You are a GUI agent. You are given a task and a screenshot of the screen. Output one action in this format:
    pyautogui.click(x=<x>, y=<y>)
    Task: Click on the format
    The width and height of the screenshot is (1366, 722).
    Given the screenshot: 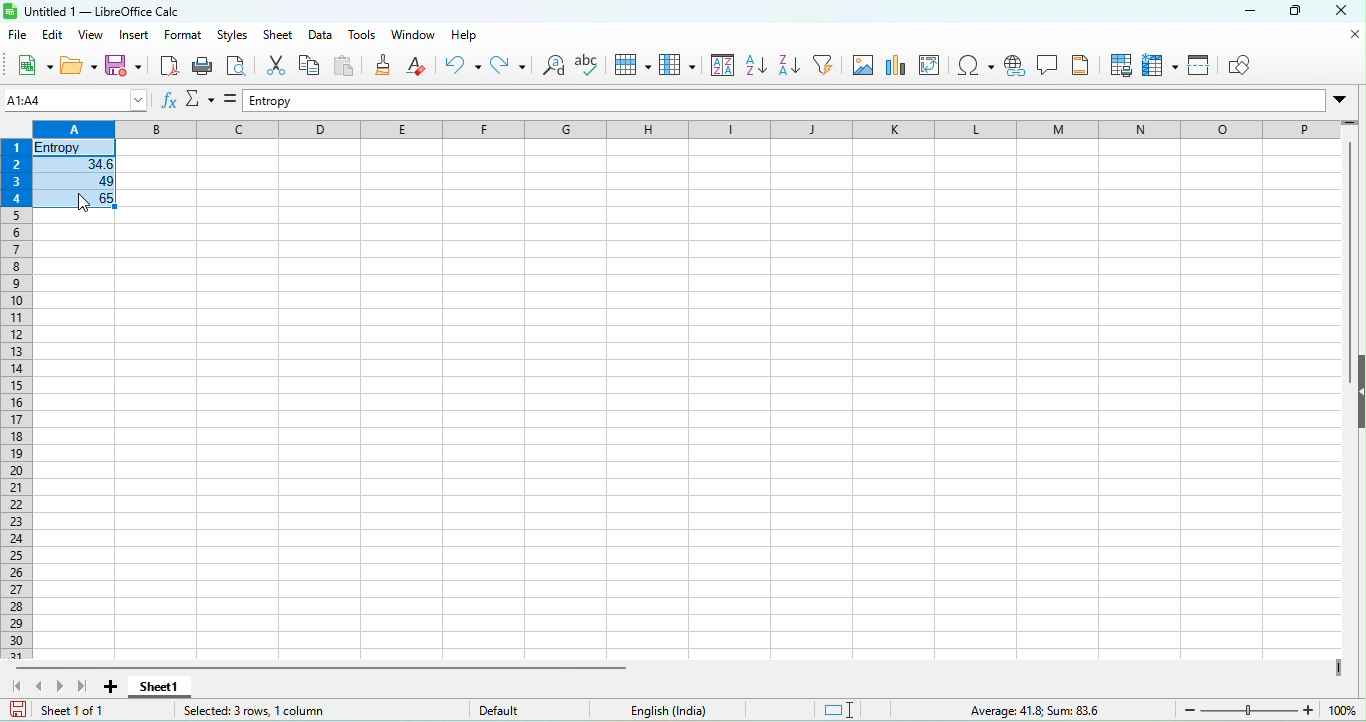 What is the action you would take?
    pyautogui.click(x=181, y=37)
    